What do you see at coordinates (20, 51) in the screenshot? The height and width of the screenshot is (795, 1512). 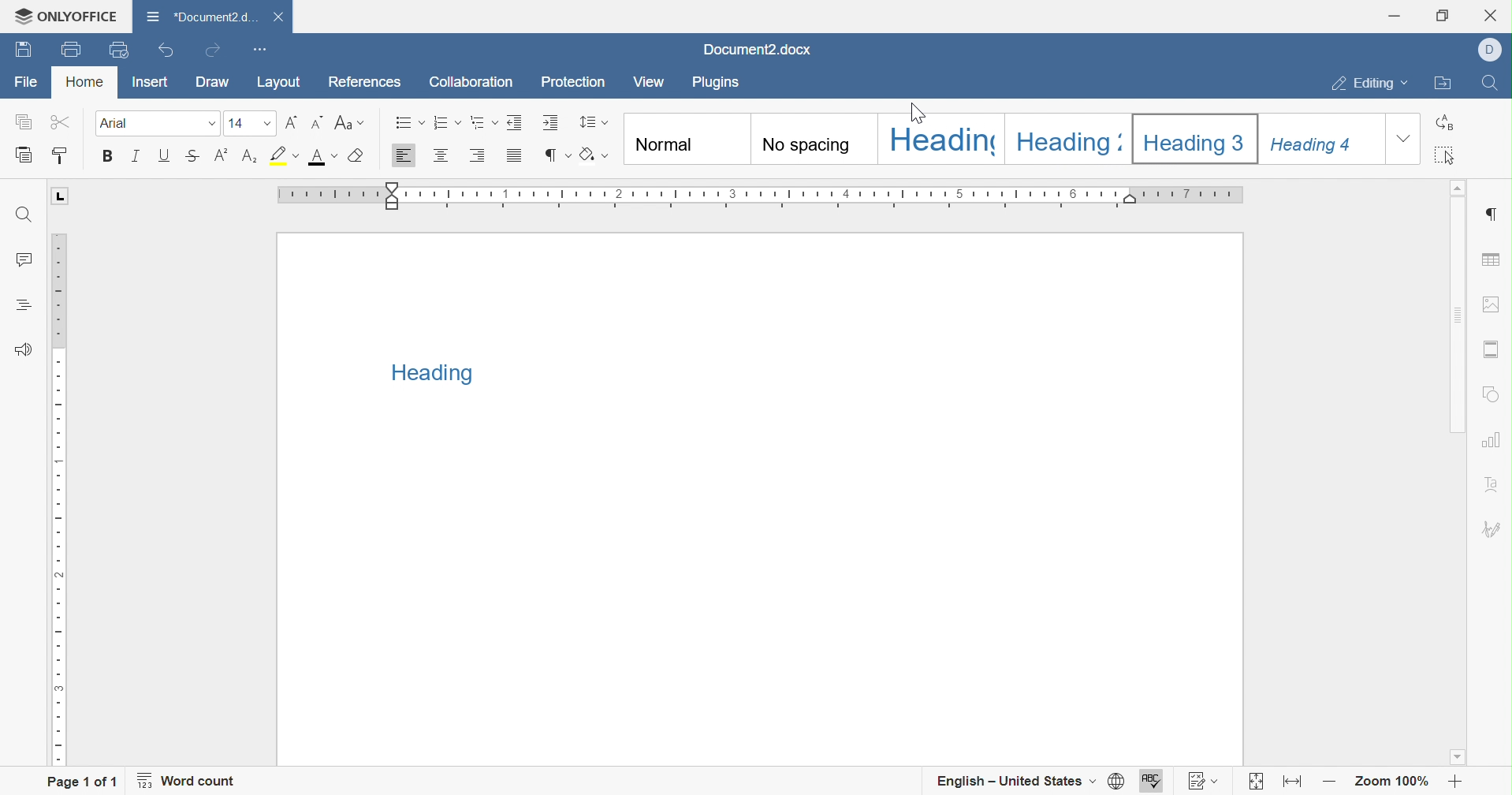 I see `Save` at bounding box center [20, 51].